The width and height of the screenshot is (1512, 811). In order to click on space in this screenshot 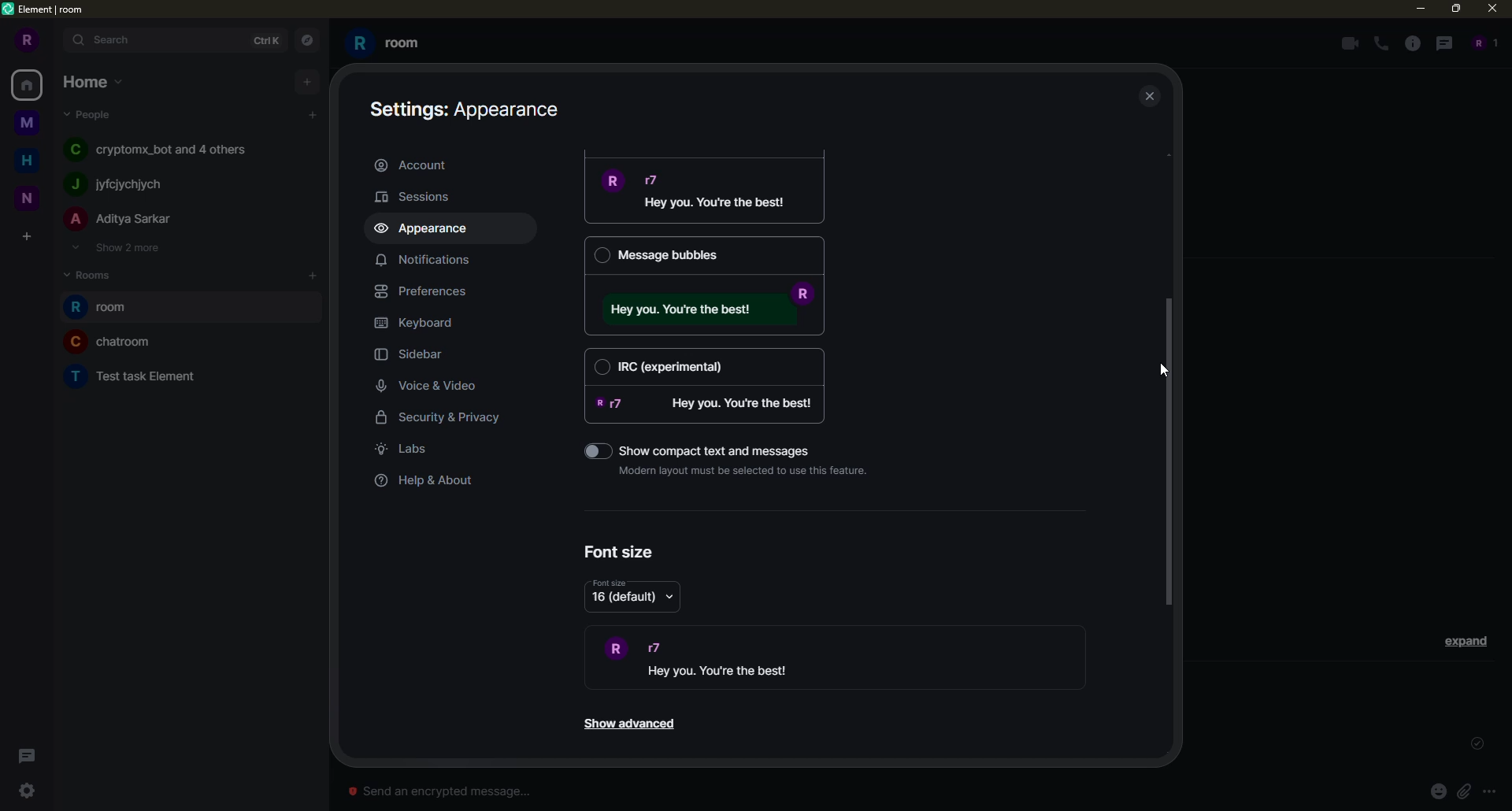, I will do `click(28, 124)`.